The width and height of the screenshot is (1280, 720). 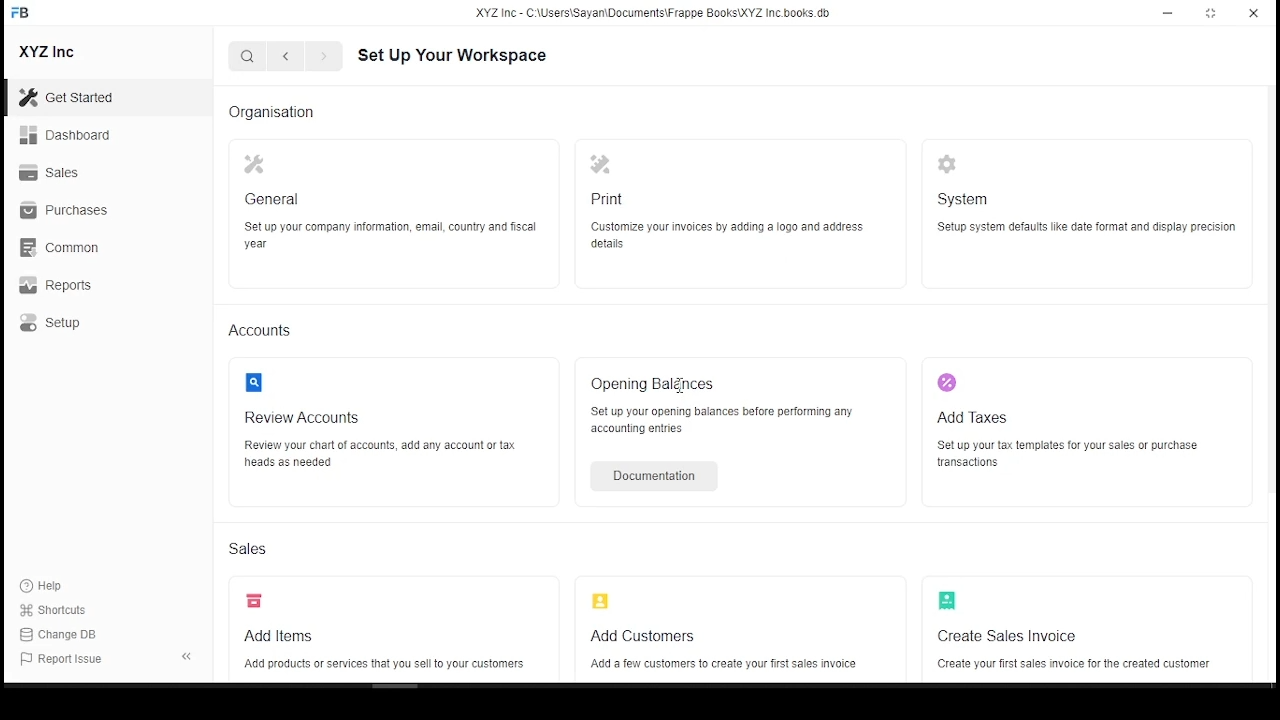 I want to click on logo, so click(x=603, y=200).